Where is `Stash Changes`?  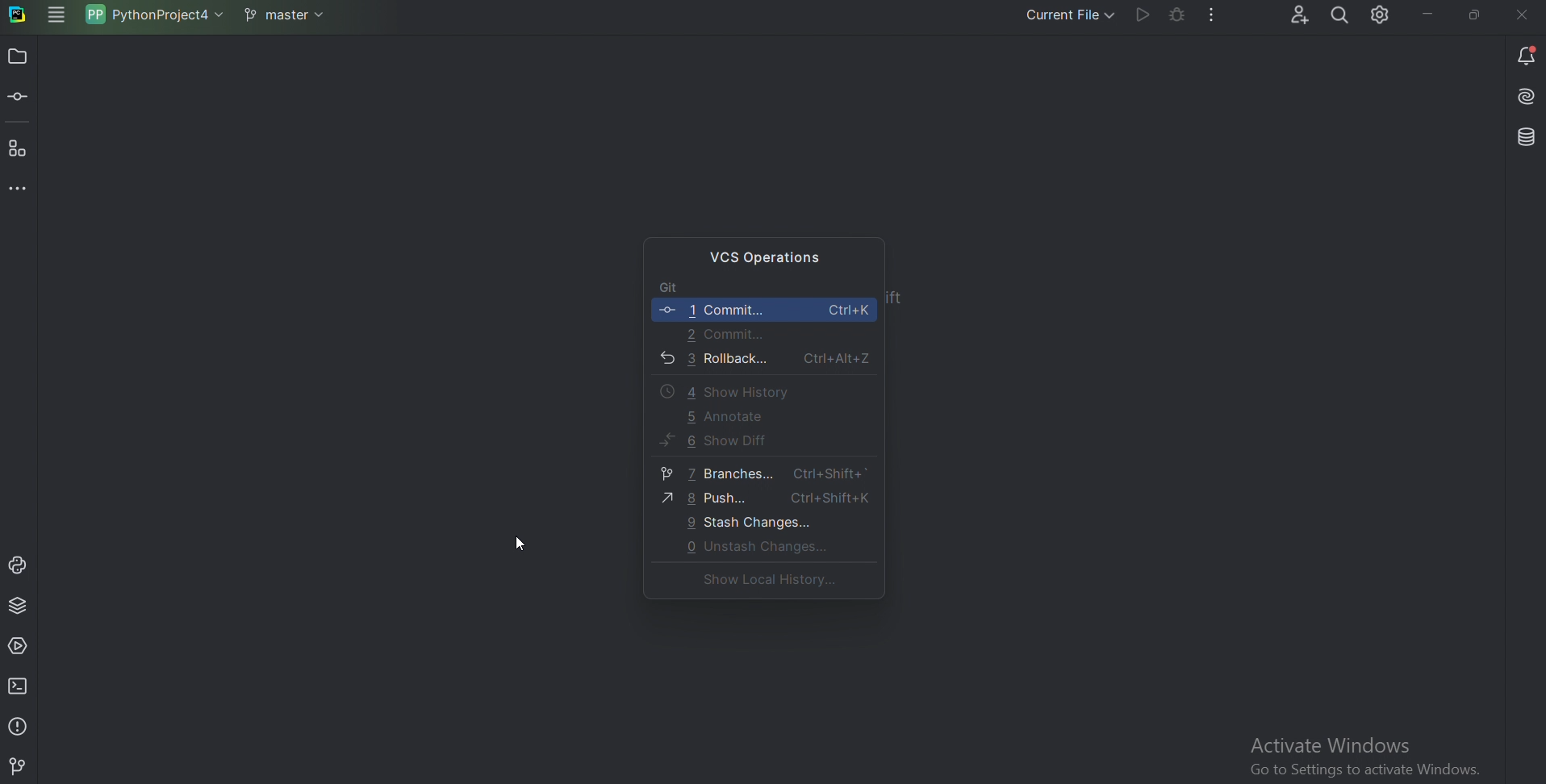 Stash Changes is located at coordinates (752, 522).